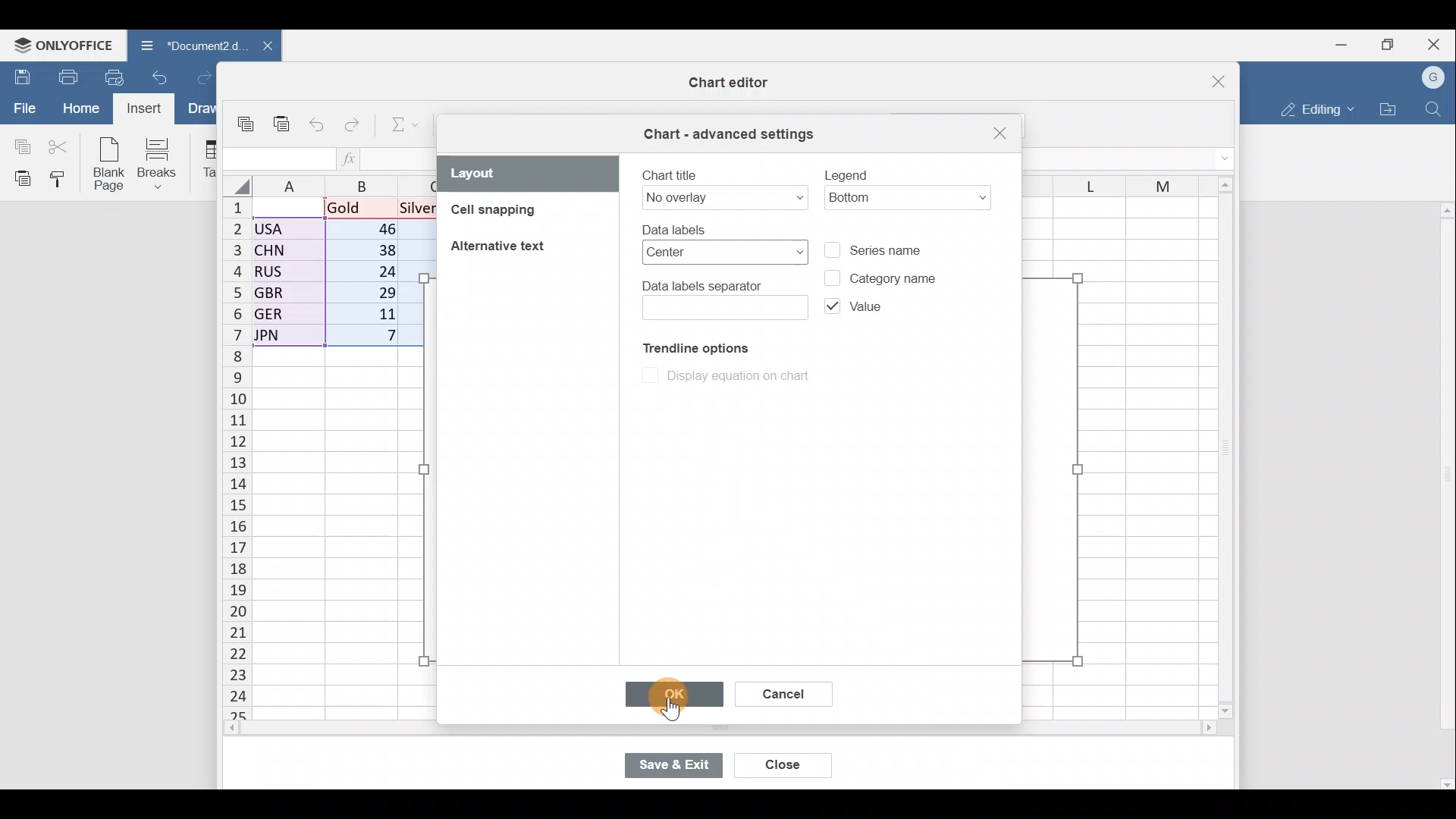 The height and width of the screenshot is (819, 1456). Describe the element at coordinates (1204, 84) in the screenshot. I see `Close` at that location.